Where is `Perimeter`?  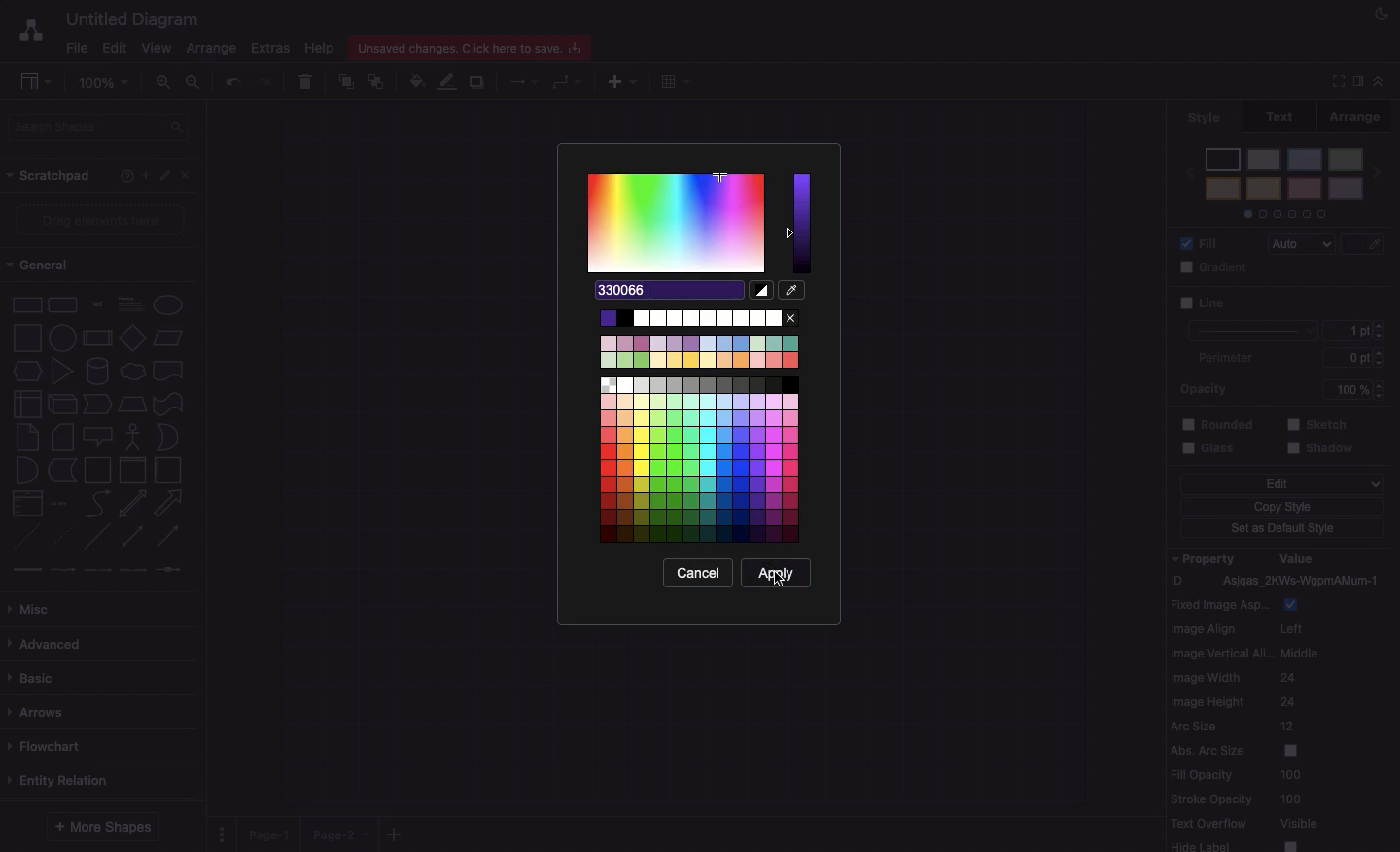
Perimeter is located at coordinates (1224, 358).